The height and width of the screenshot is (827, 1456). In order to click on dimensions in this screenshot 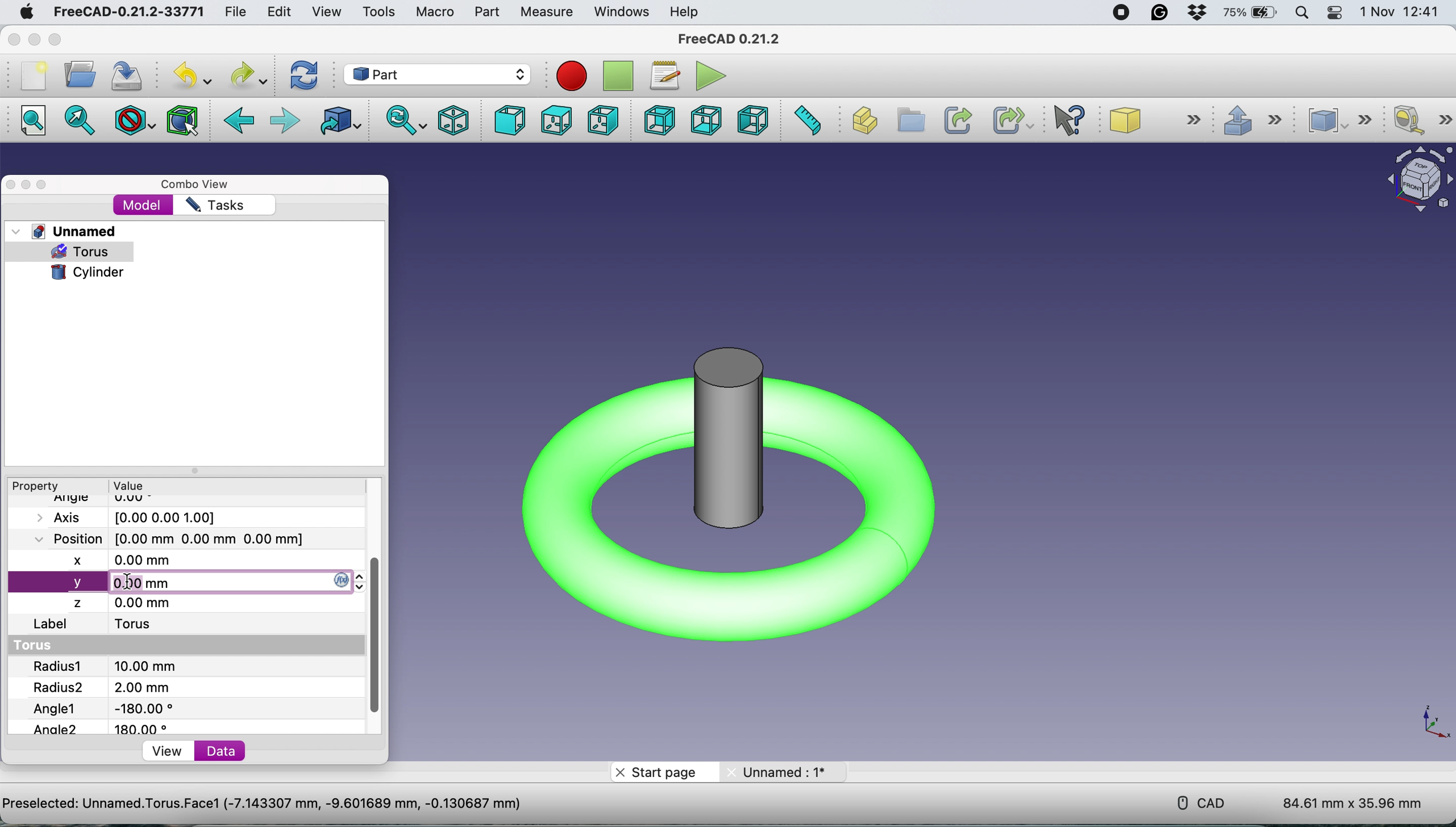, I will do `click(1353, 799)`.